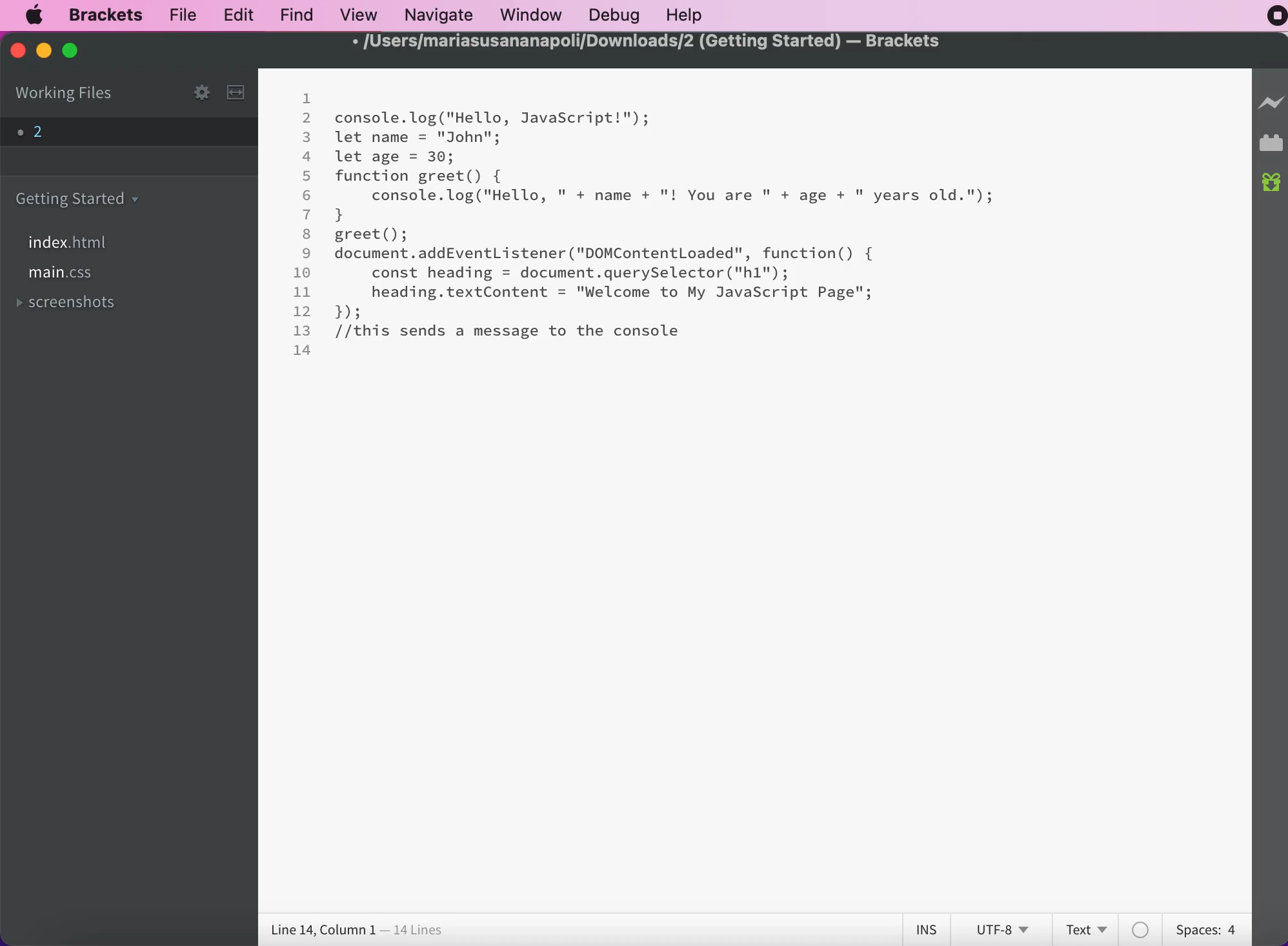 Image resolution: width=1288 pixels, height=946 pixels. Describe the element at coordinates (308, 119) in the screenshot. I see `2` at that location.